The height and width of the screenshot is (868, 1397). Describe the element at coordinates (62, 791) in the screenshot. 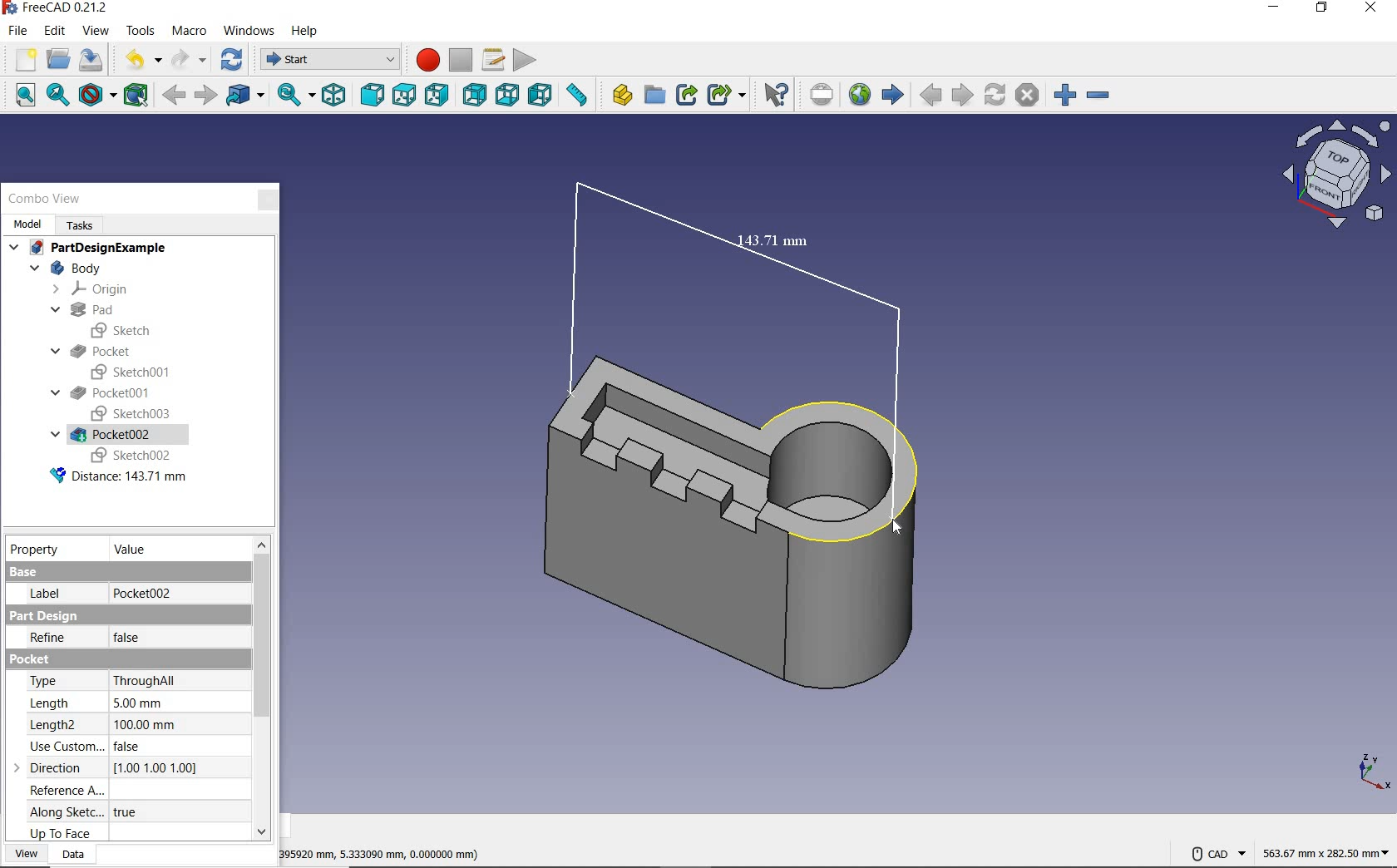

I see `reference a` at that location.